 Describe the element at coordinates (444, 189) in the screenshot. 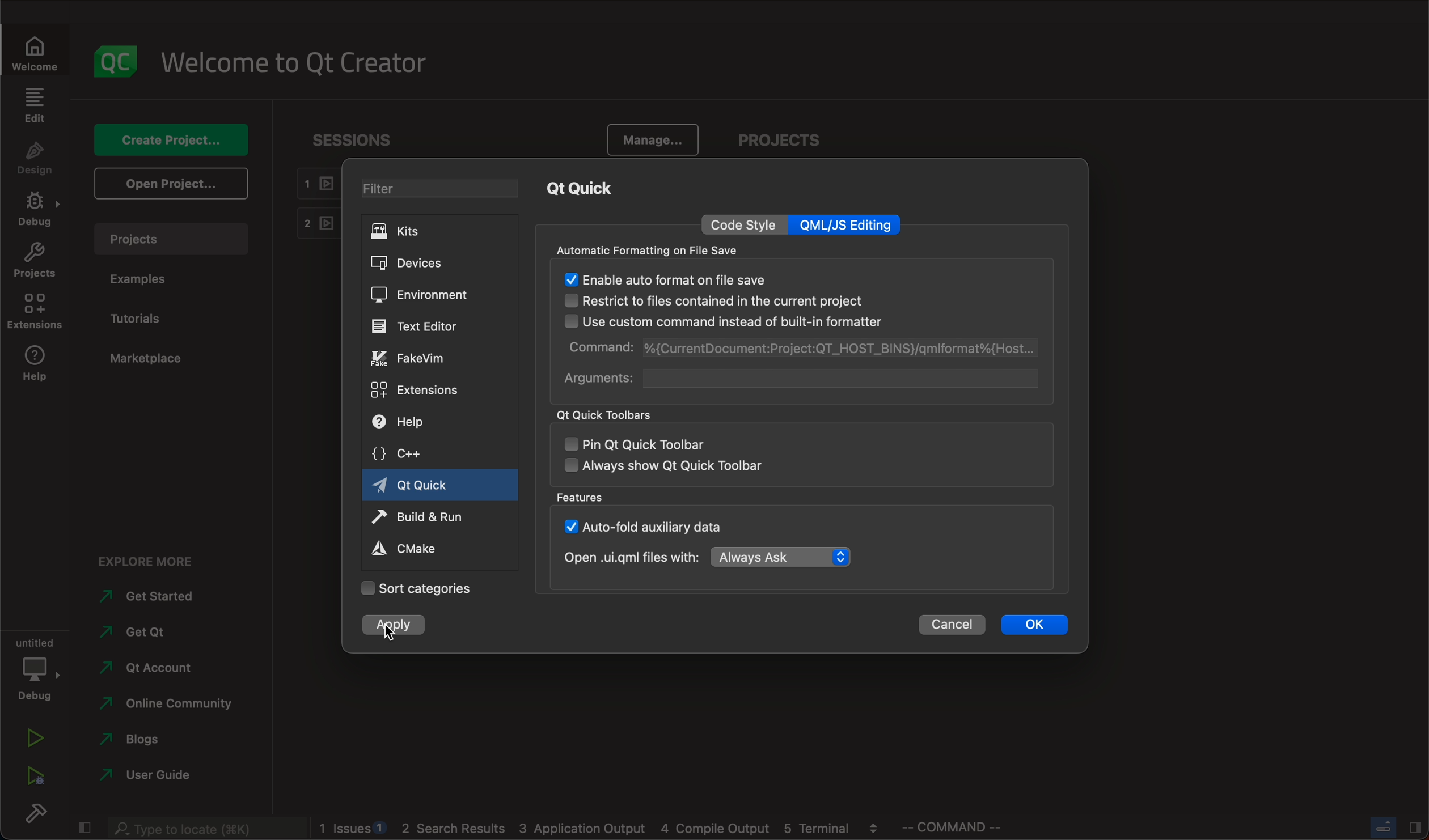

I see `filter` at that location.